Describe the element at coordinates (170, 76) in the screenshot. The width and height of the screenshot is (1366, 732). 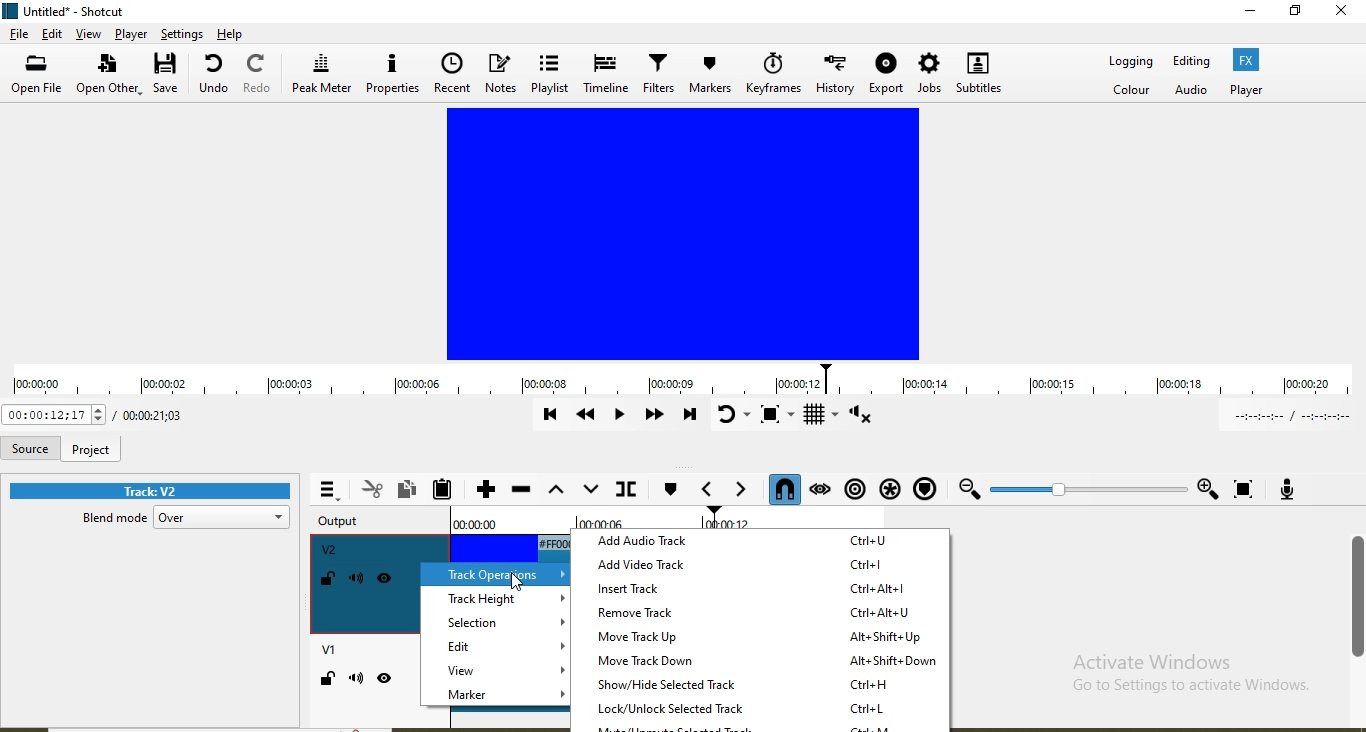
I see `save` at that location.